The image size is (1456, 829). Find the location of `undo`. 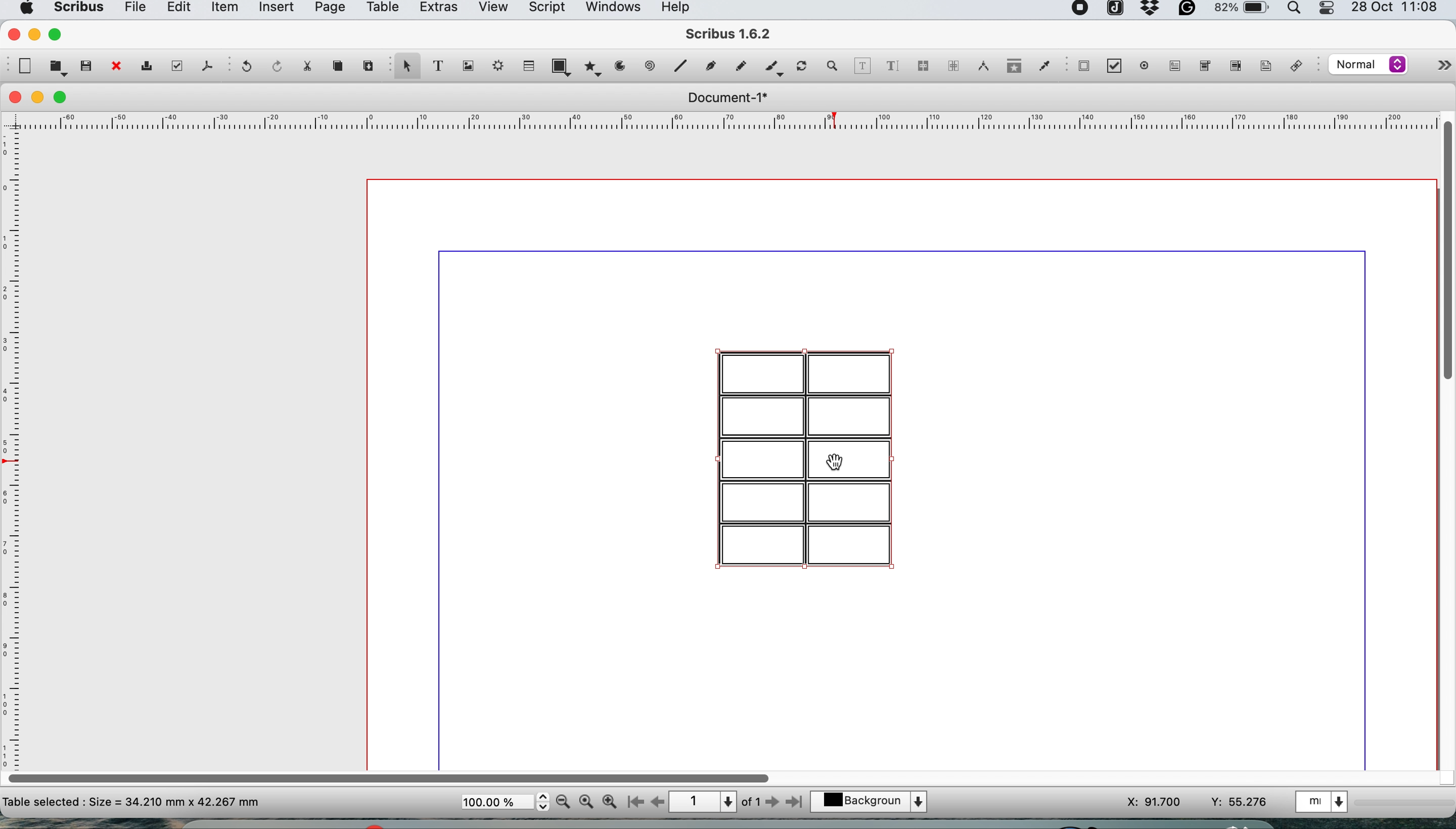

undo is located at coordinates (244, 67).